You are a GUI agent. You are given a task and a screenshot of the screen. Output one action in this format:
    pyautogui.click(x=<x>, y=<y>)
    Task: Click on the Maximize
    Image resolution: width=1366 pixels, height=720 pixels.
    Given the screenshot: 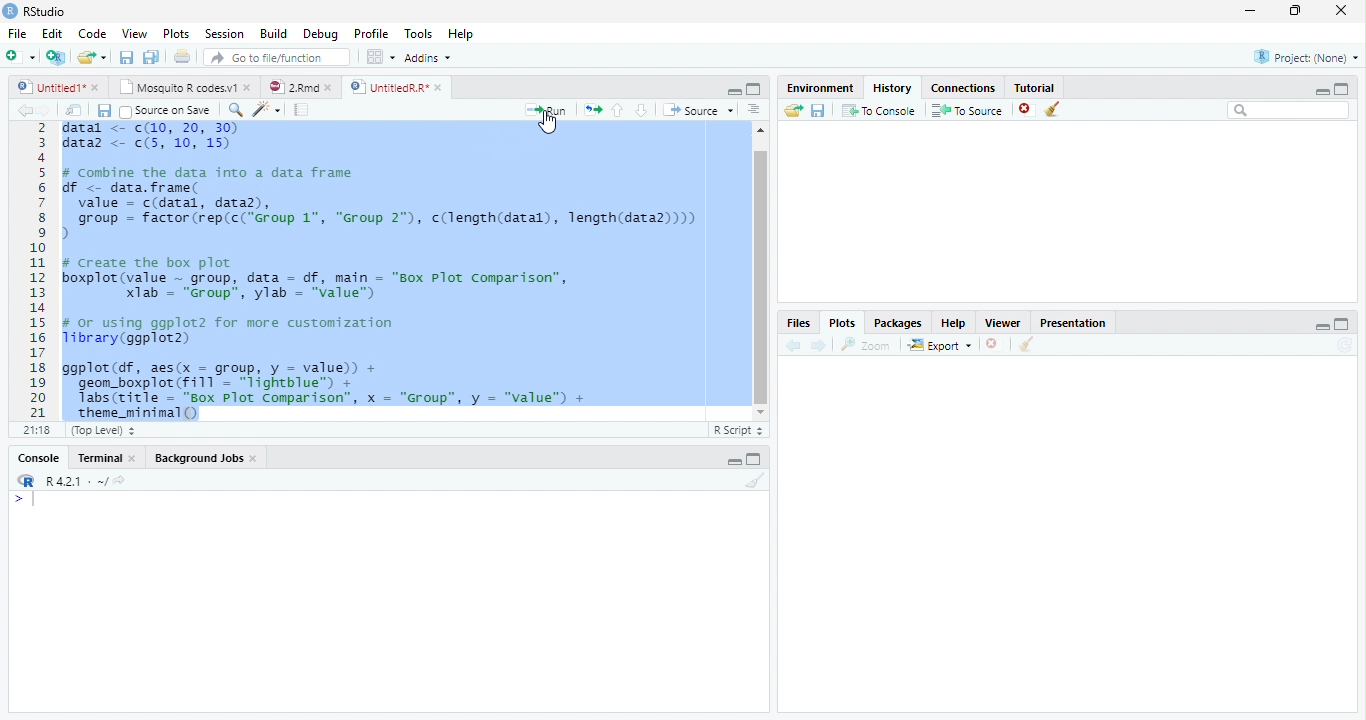 What is the action you would take?
    pyautogui.click(x=1342, y=89)
    